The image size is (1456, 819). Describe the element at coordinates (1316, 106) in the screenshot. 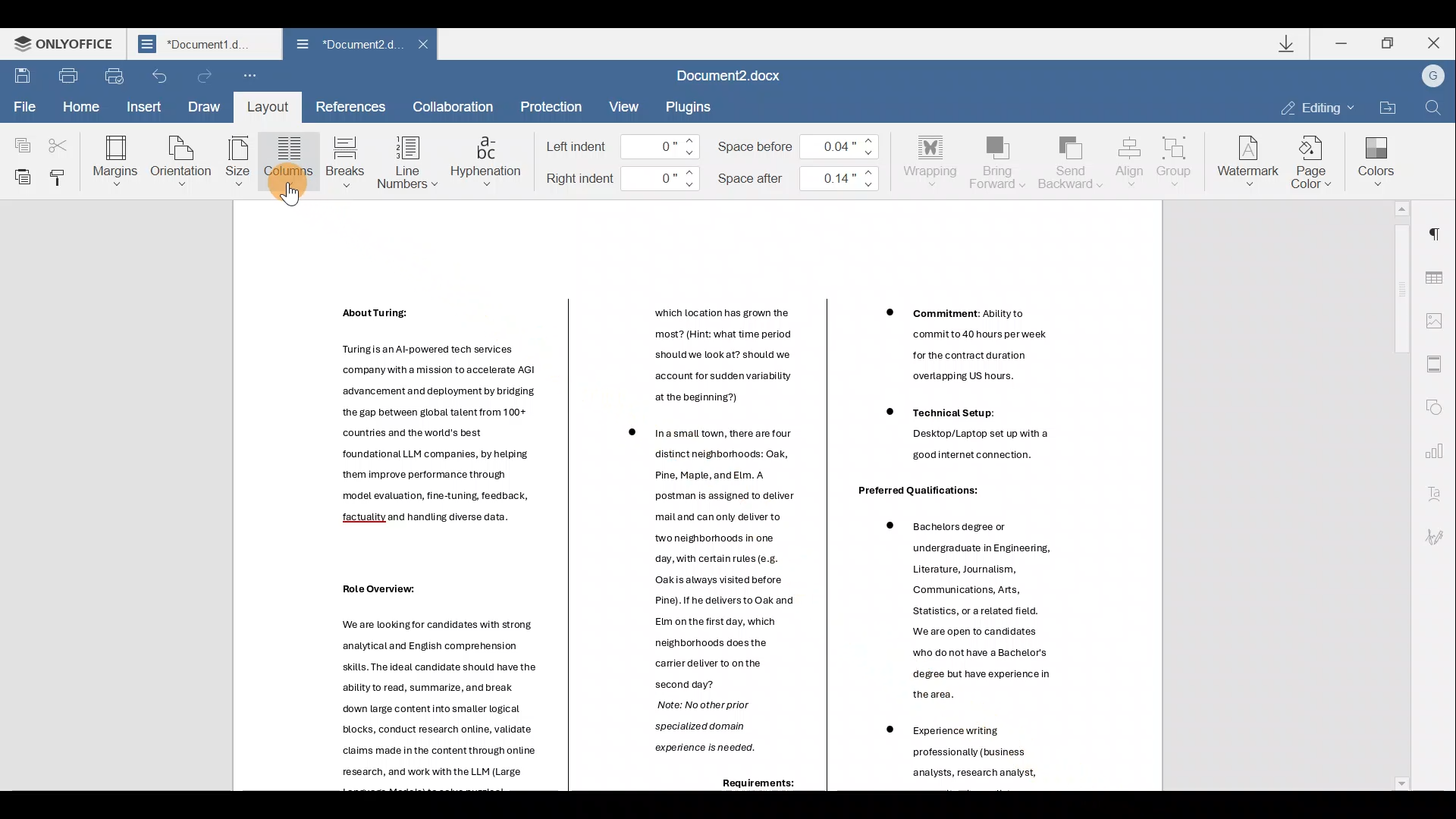

I see `Editing mode` at that location.